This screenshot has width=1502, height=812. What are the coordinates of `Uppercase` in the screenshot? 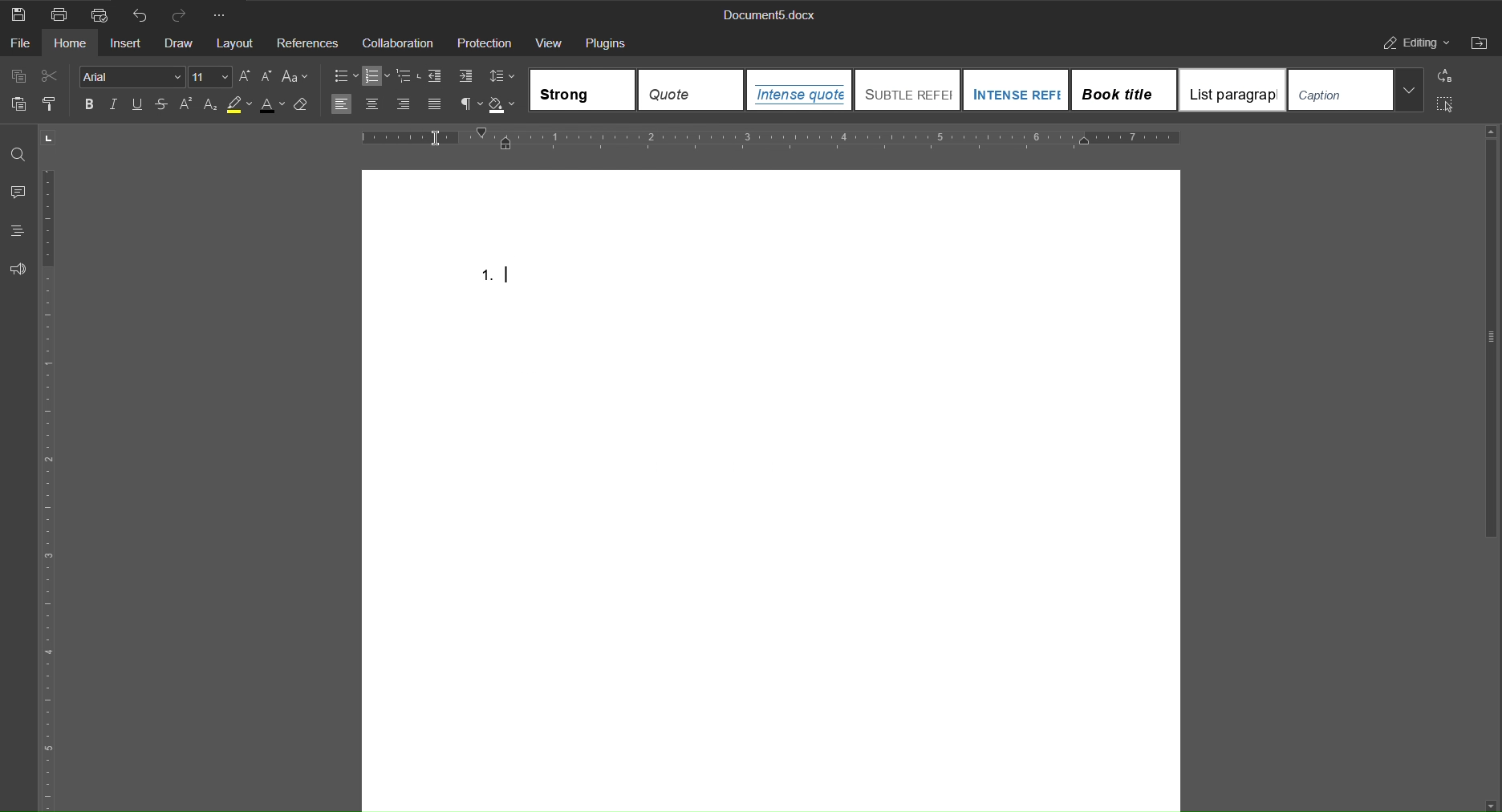 It's located at (246, 76).